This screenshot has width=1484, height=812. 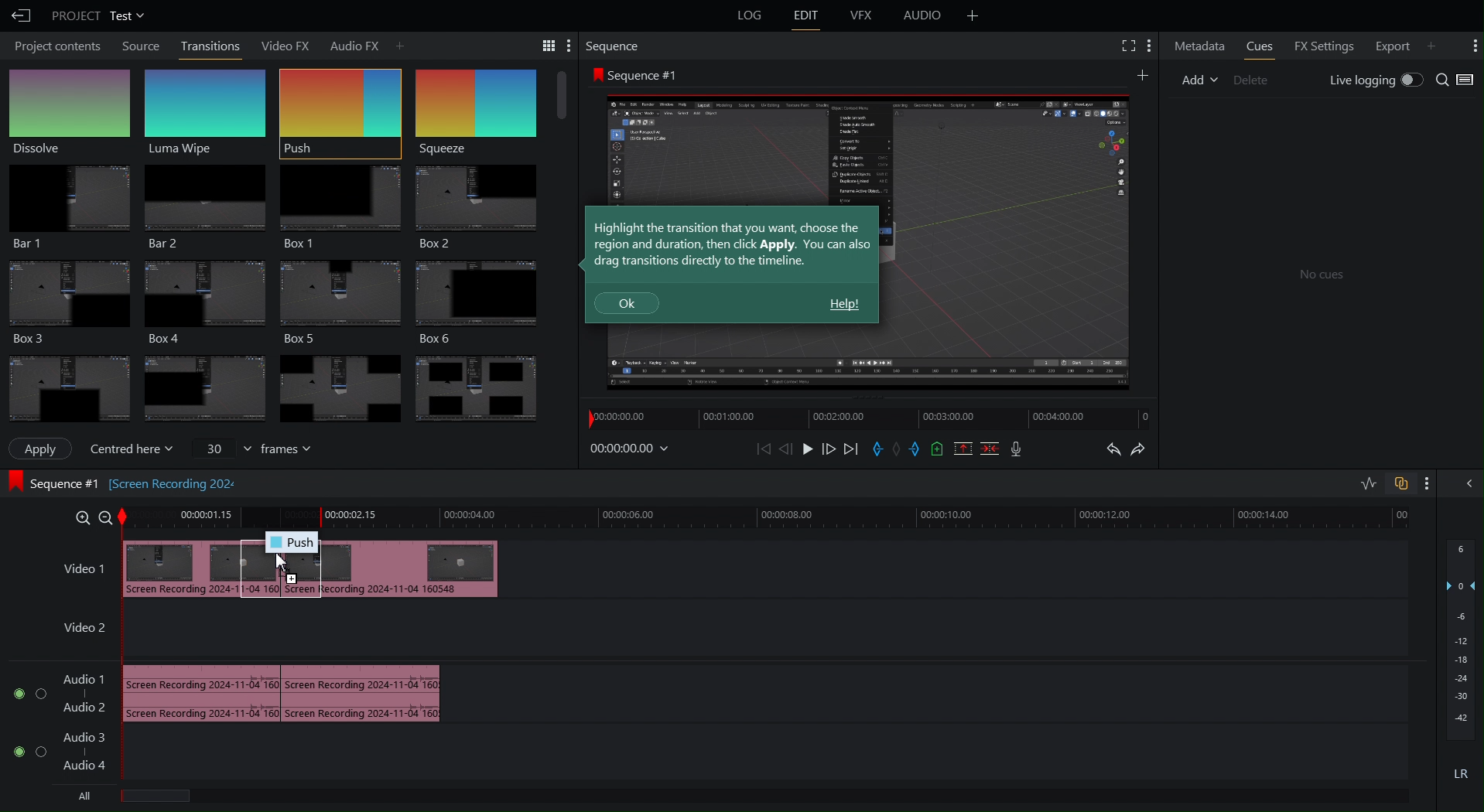 What do you see at coordinates (473, 113) in the screenshot?
I see `Squeeze` at bounding box center [473, 113].